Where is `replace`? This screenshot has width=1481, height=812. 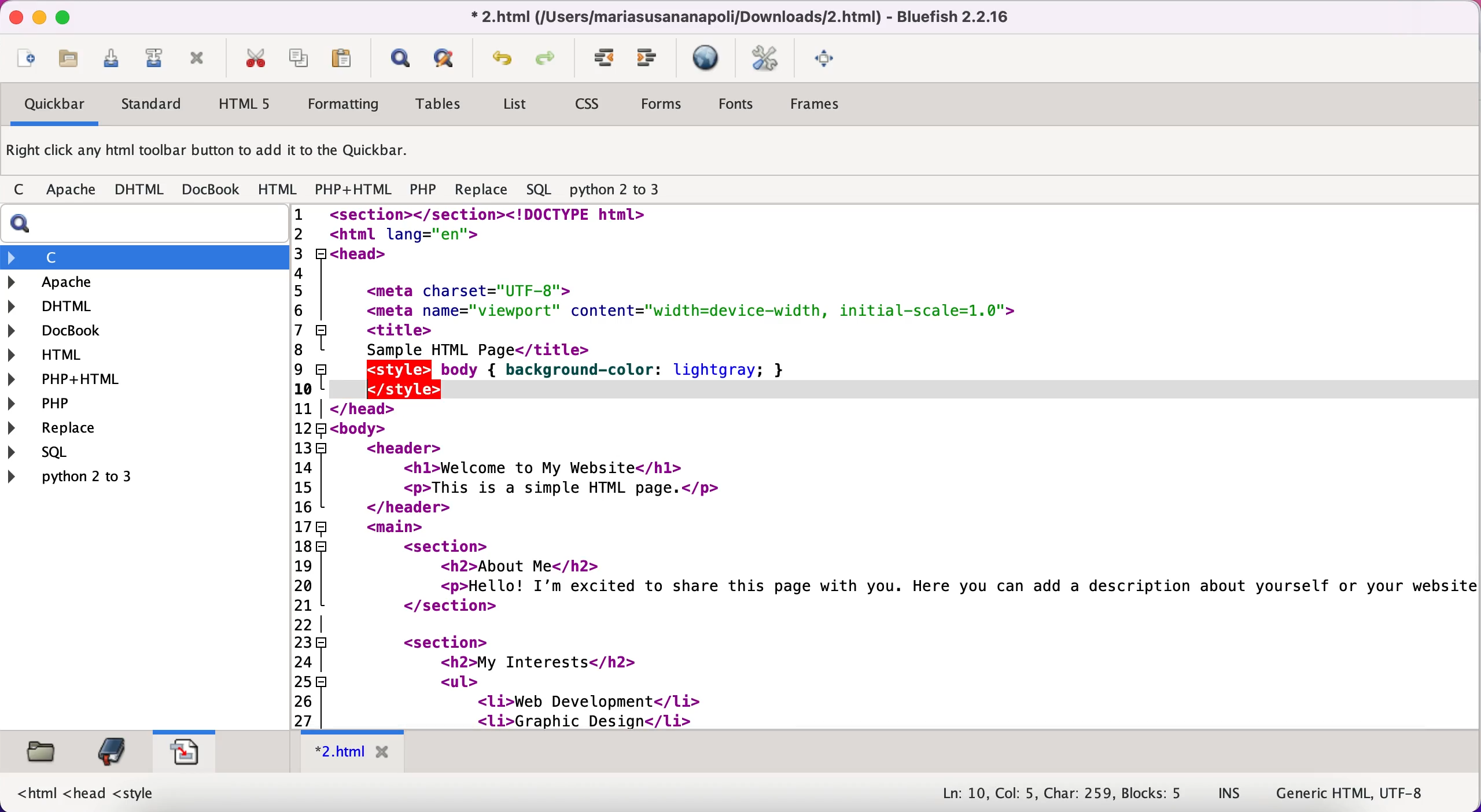
replace is located at coordinates (481, 193).